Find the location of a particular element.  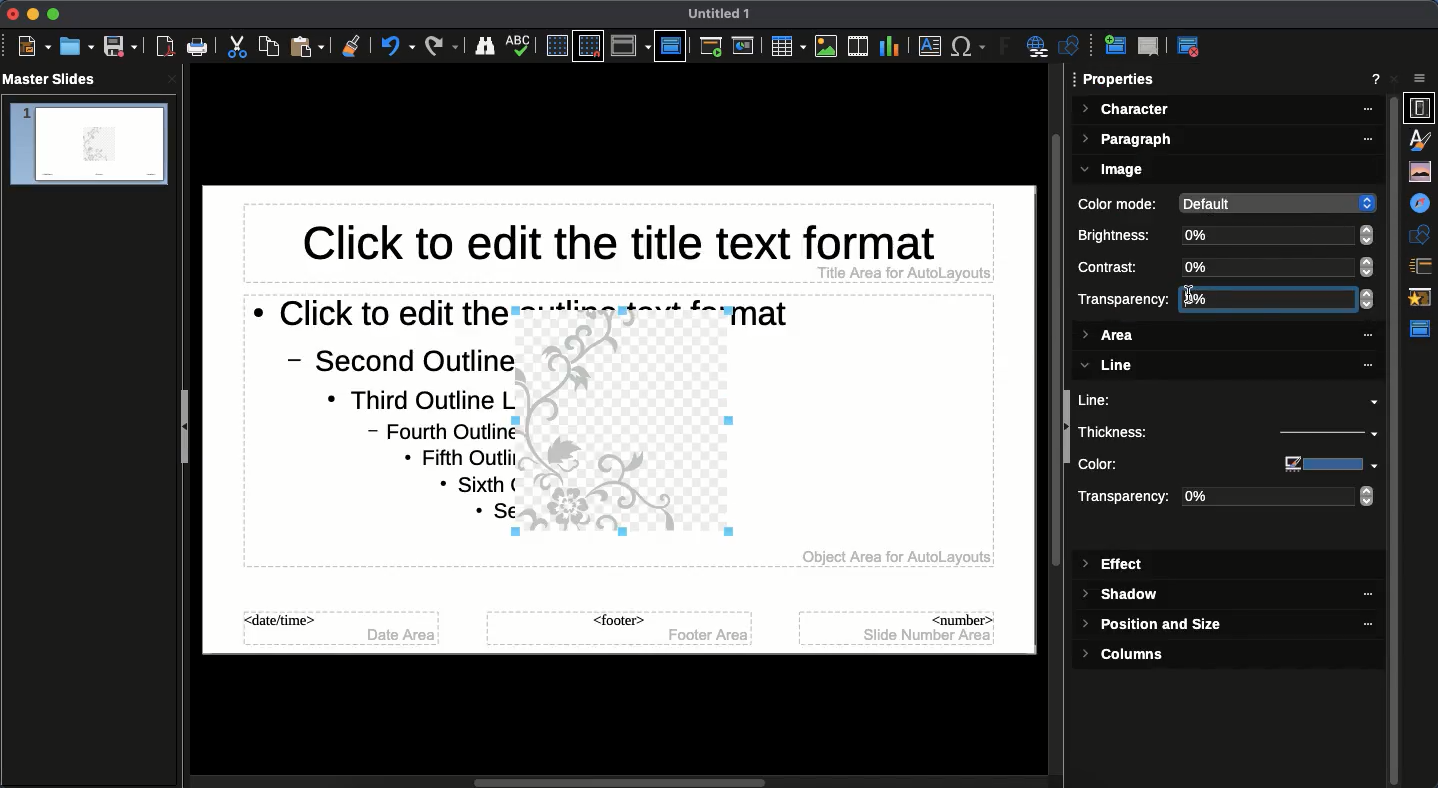

Display grid is located at coordinates (555, 45).